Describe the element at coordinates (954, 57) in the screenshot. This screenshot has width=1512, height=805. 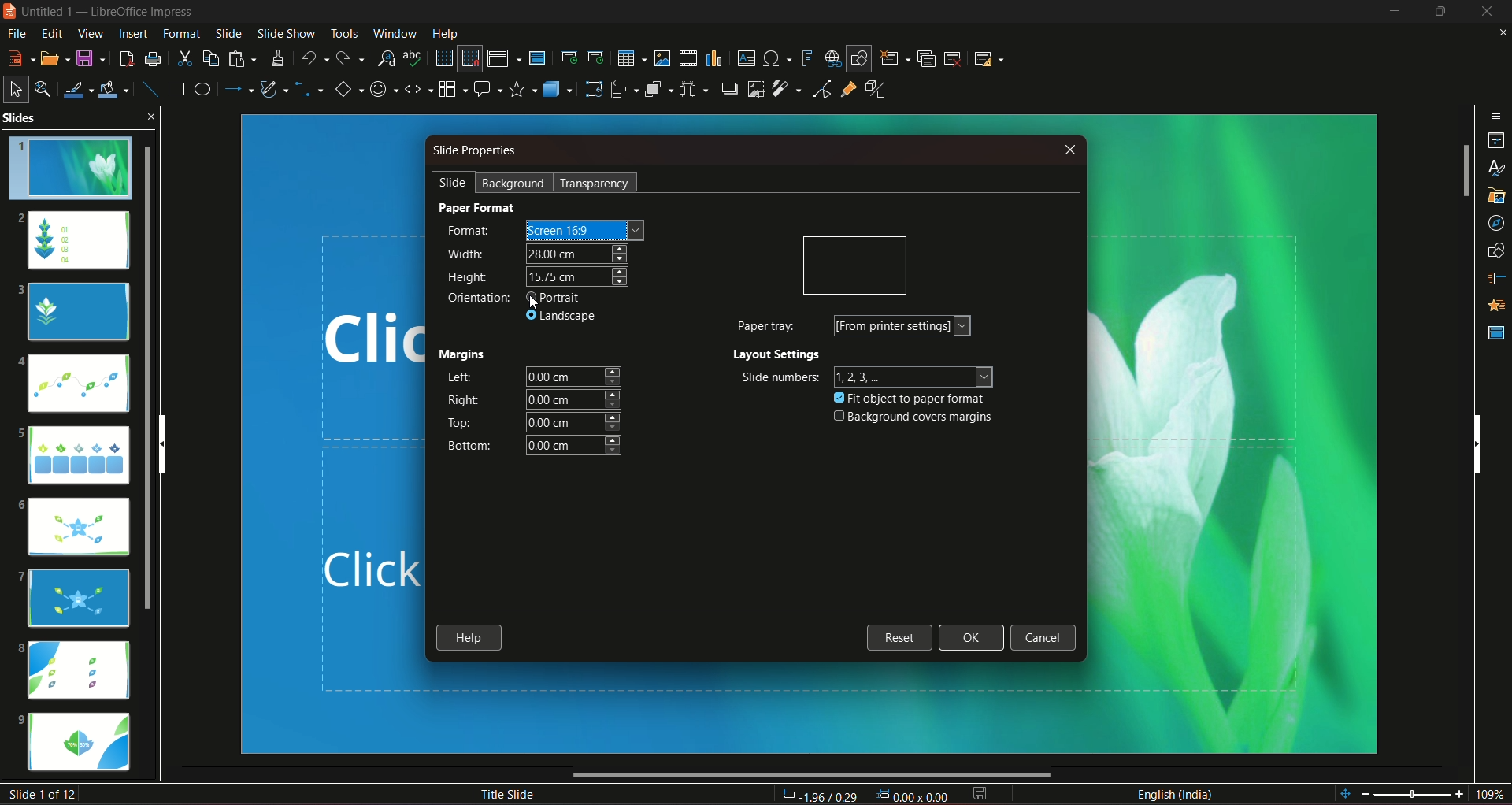
I see `slide delete` at that location.